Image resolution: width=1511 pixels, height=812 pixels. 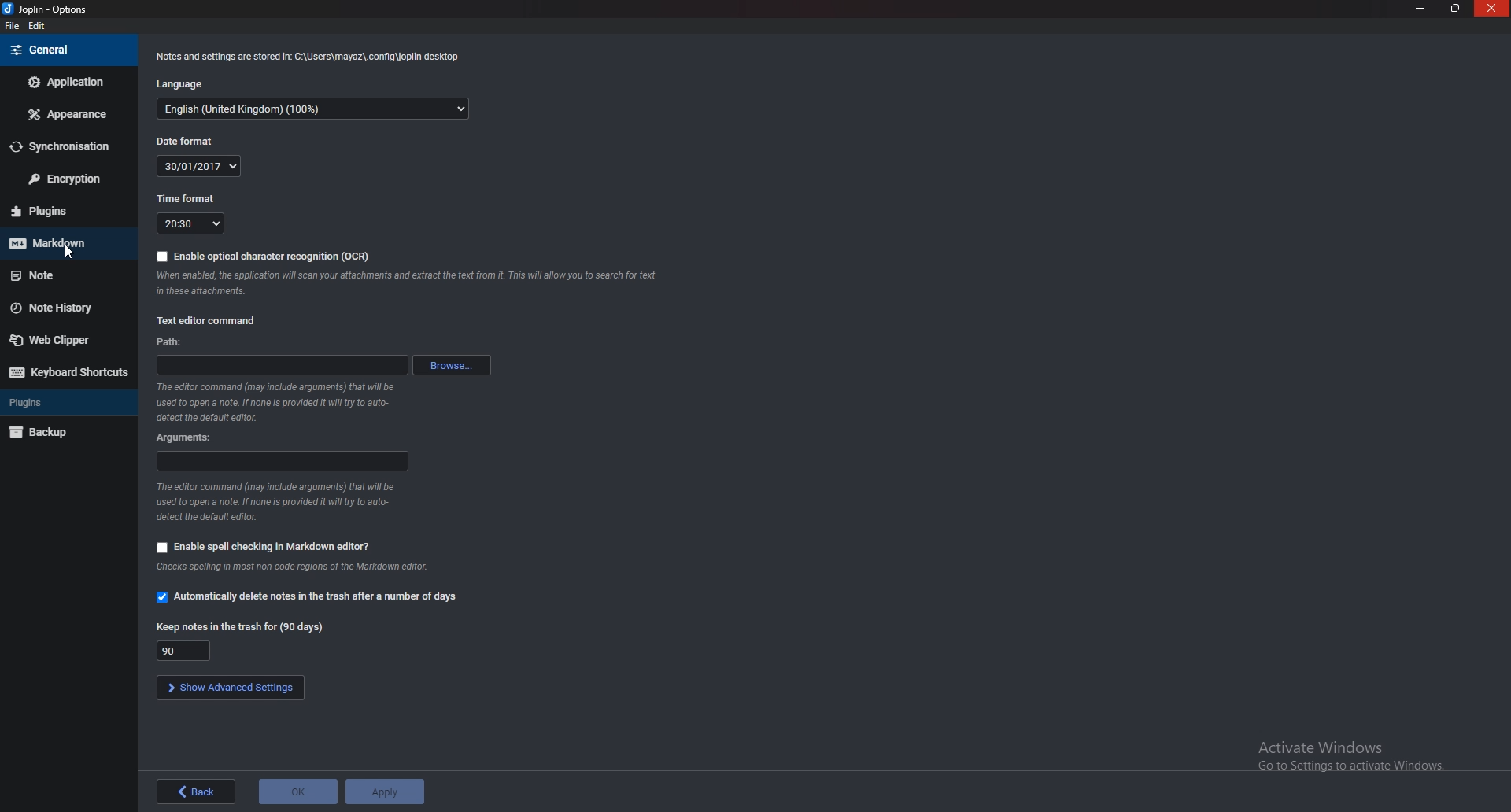 What do you see at coordinates (198, 790) in the screenshot?
I see `back` at bounding box center [198, 790].